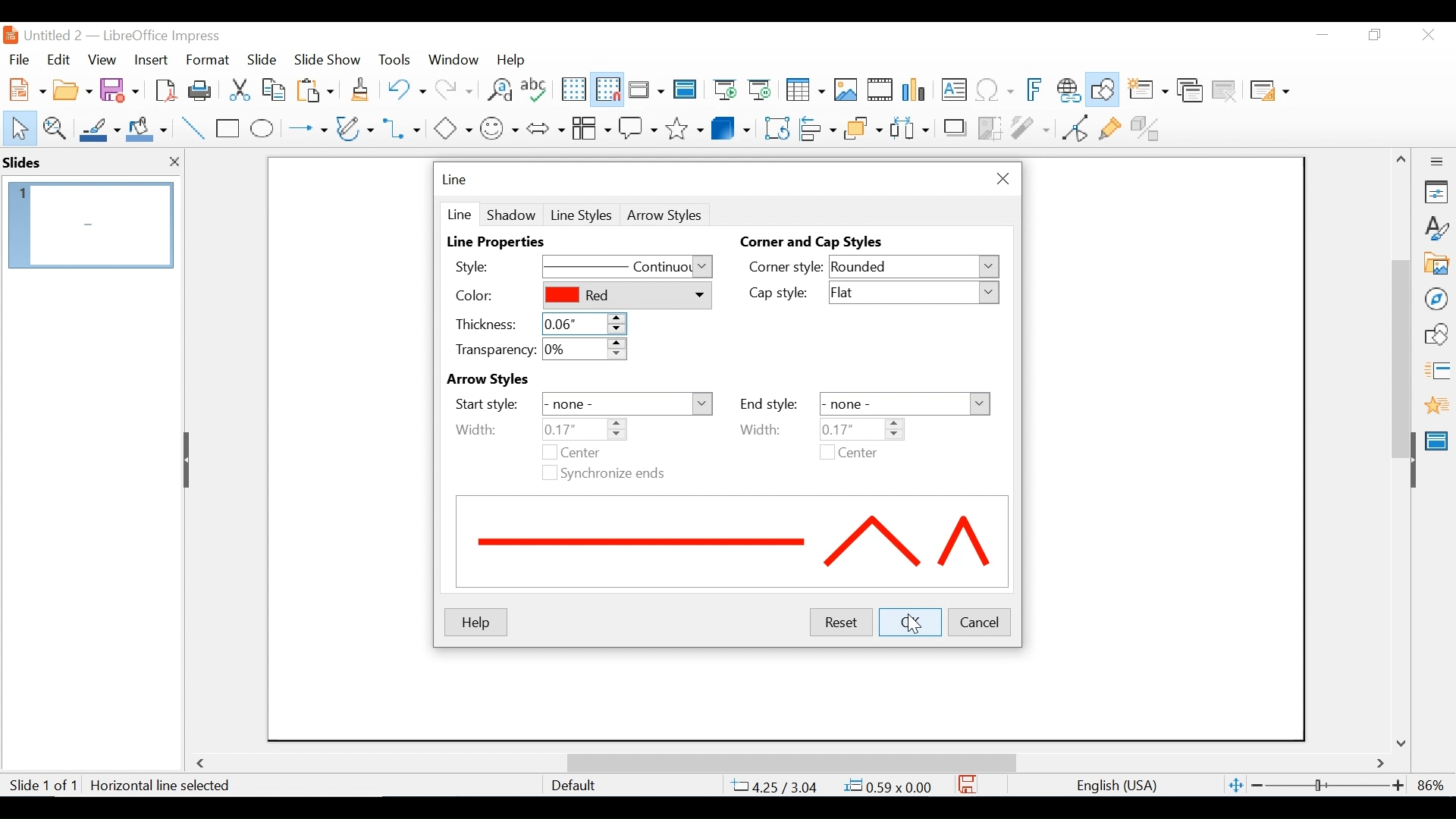  Describe the element at coordinates (499, 89) in the screenshot. I see `Find and Replace` at that location.